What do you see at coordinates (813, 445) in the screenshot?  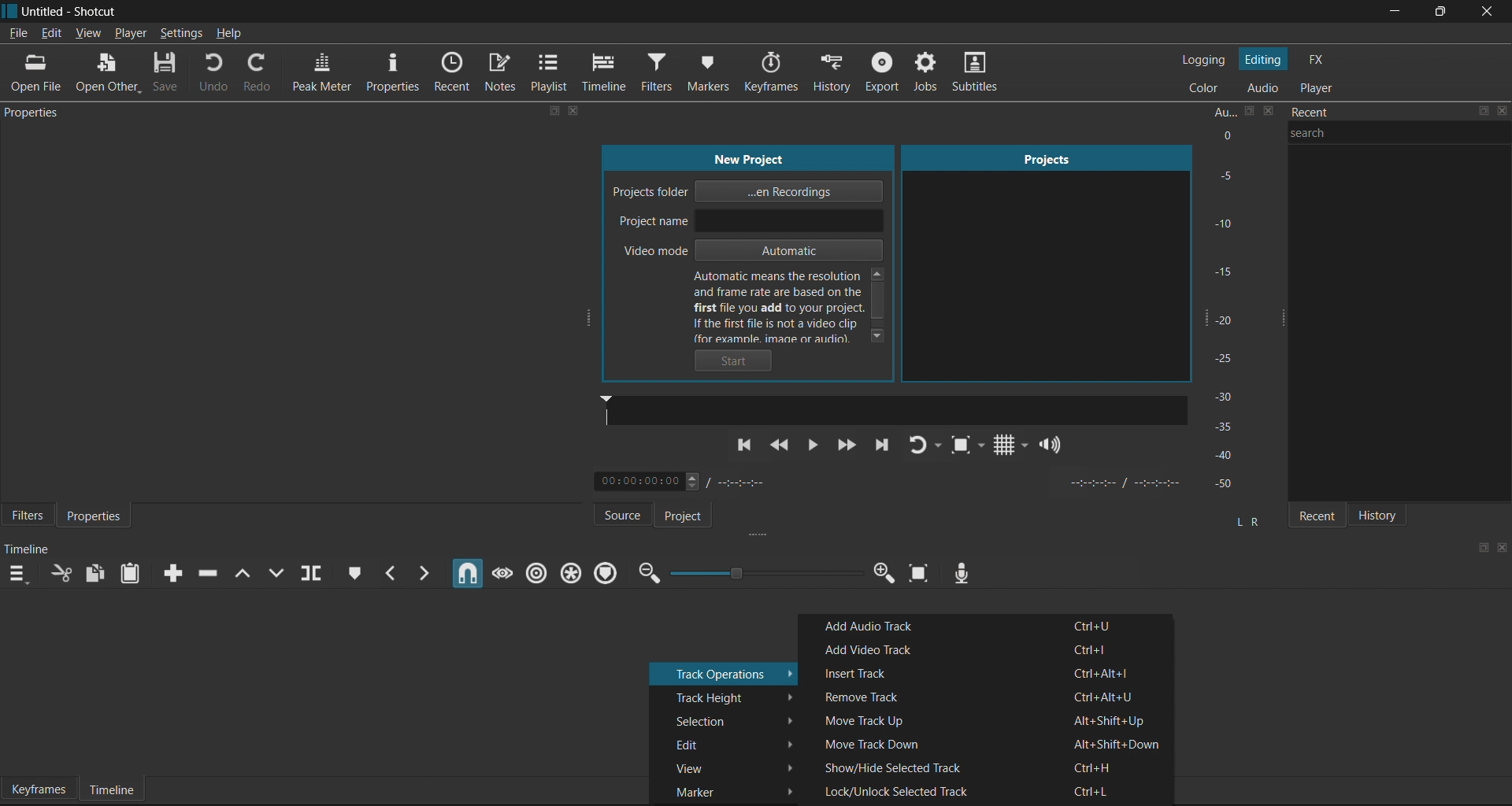 I see `pause` at bounding box center [813, 445].